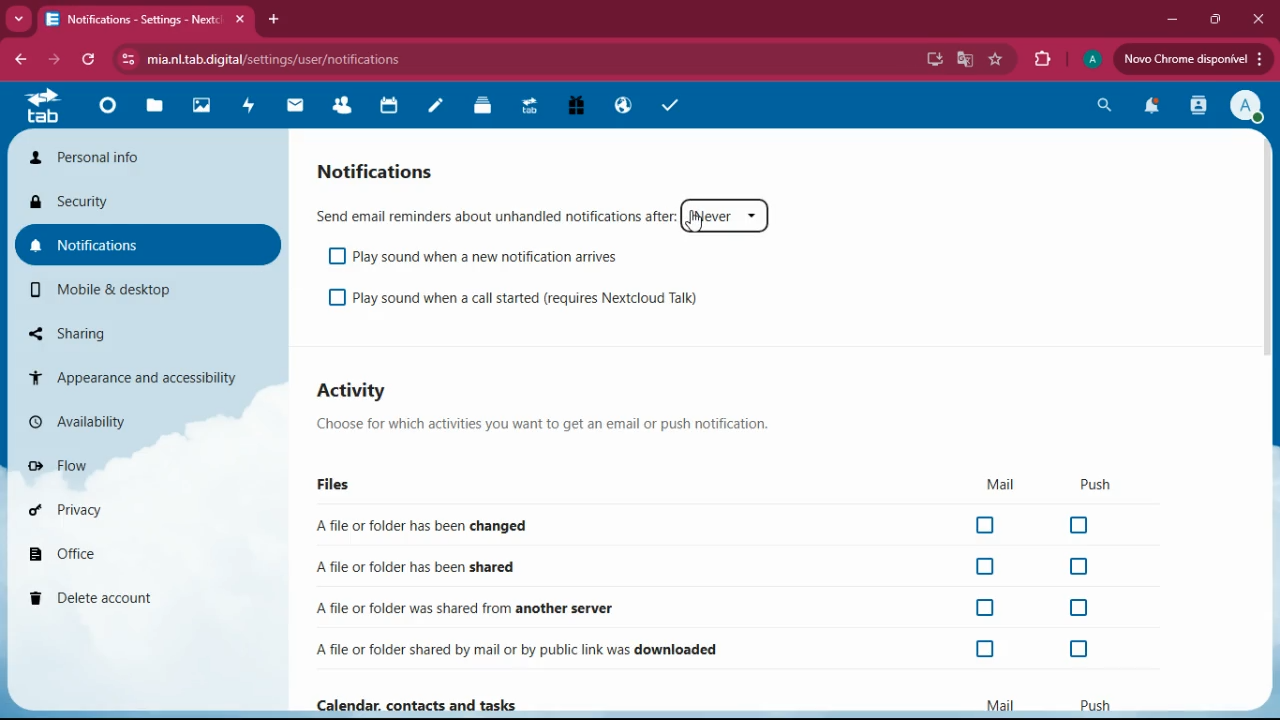 The image size is (1280, 720). What do you see at coordinates (154, 108) in the screenshot?
I see `files` at bounding box center [154, 108].